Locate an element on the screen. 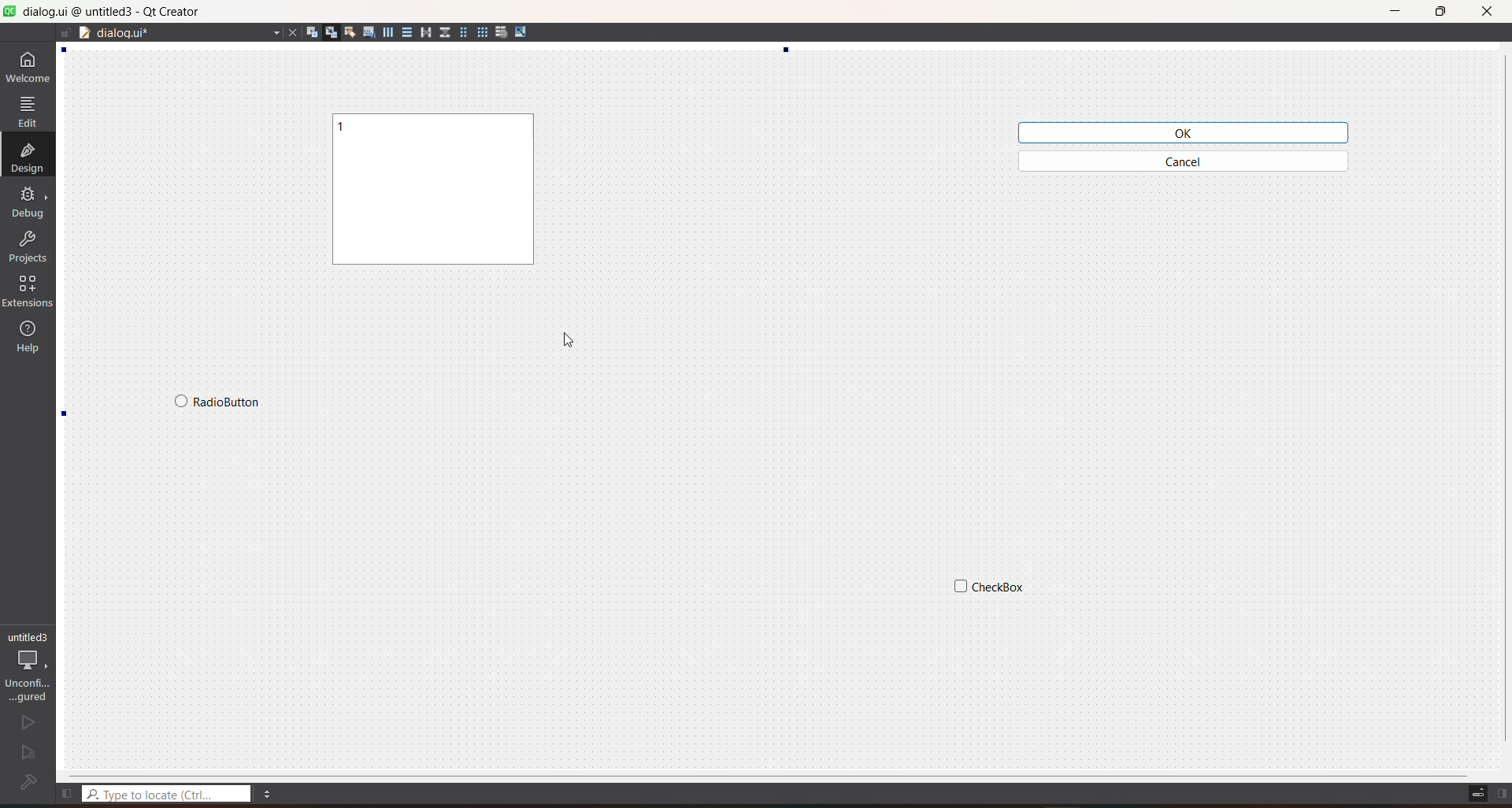 The image size is (1512, 808). run and debug file is located at coordinates (25, 751).